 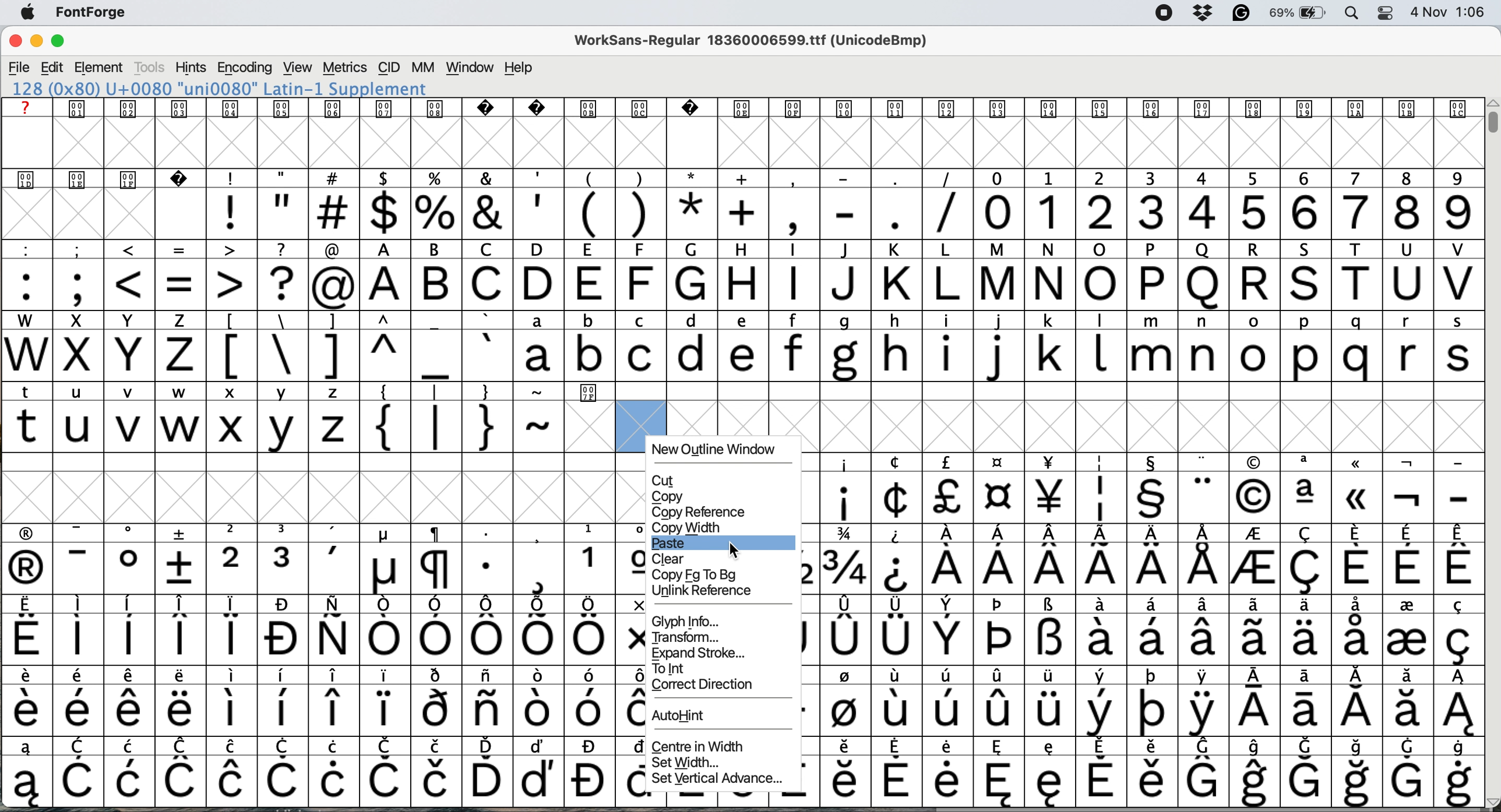 What do you see at coordinates (1298, 13) in the screenshot?
I see `battery` at bounding box center [1298, 13].